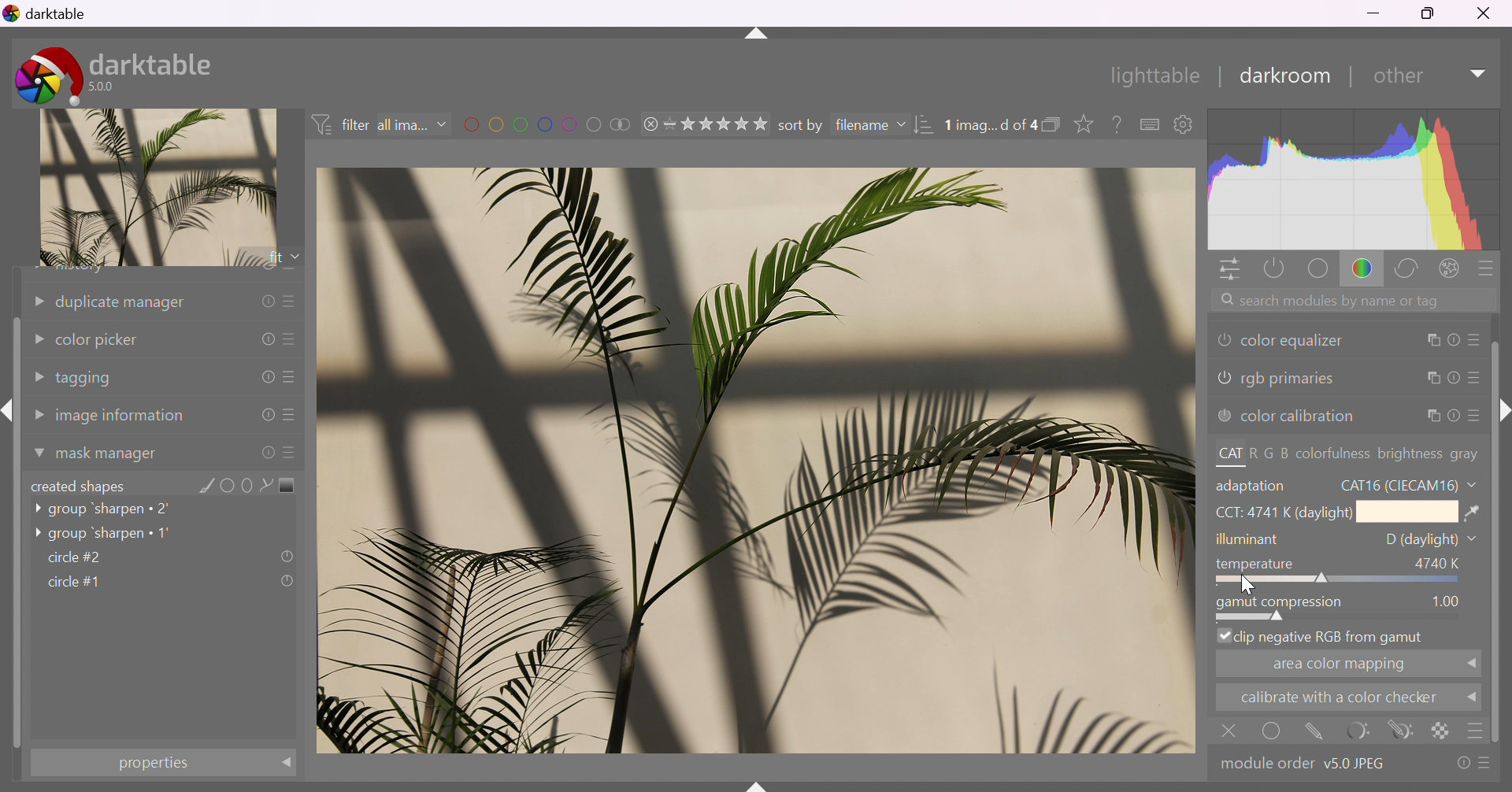  Describe the element at coordinates (163, 341) in the screenshot. I see `color picker` at that location.